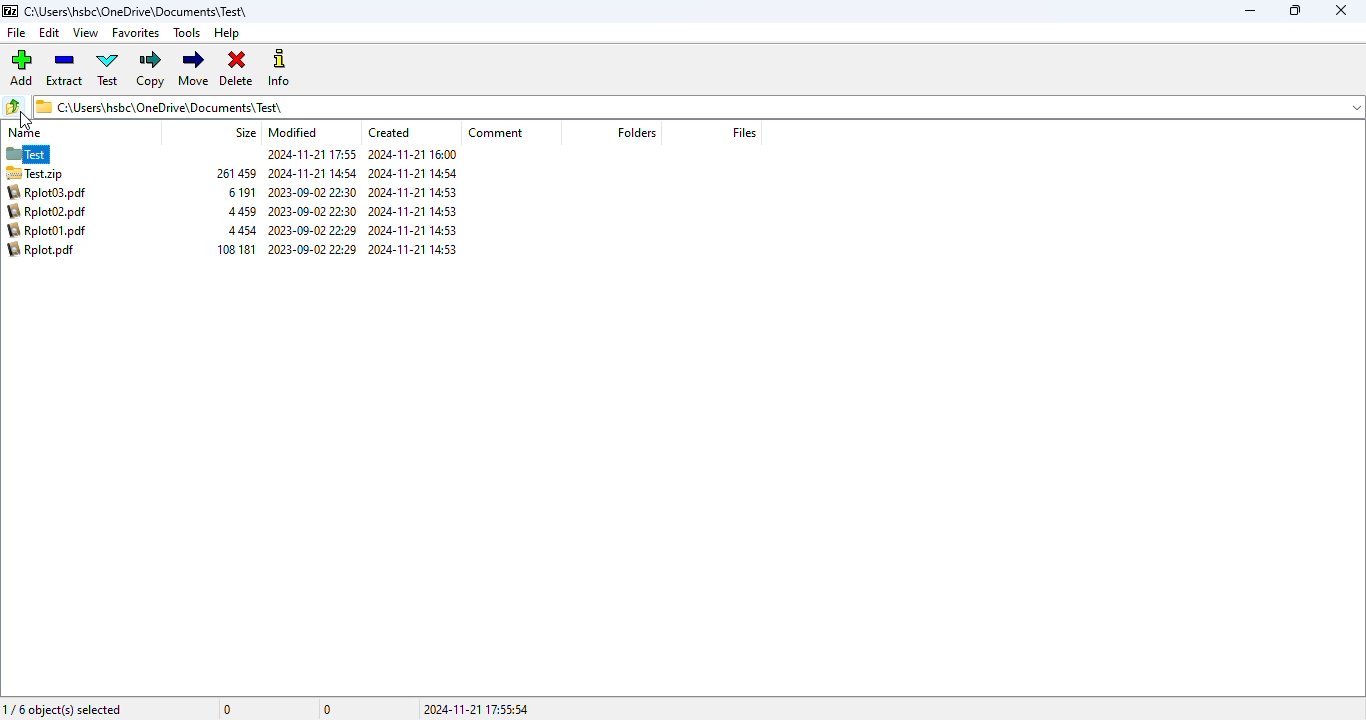 The height and width of the screenshot is (720, 1366). I want to click on 261 459, so click(236, 173).